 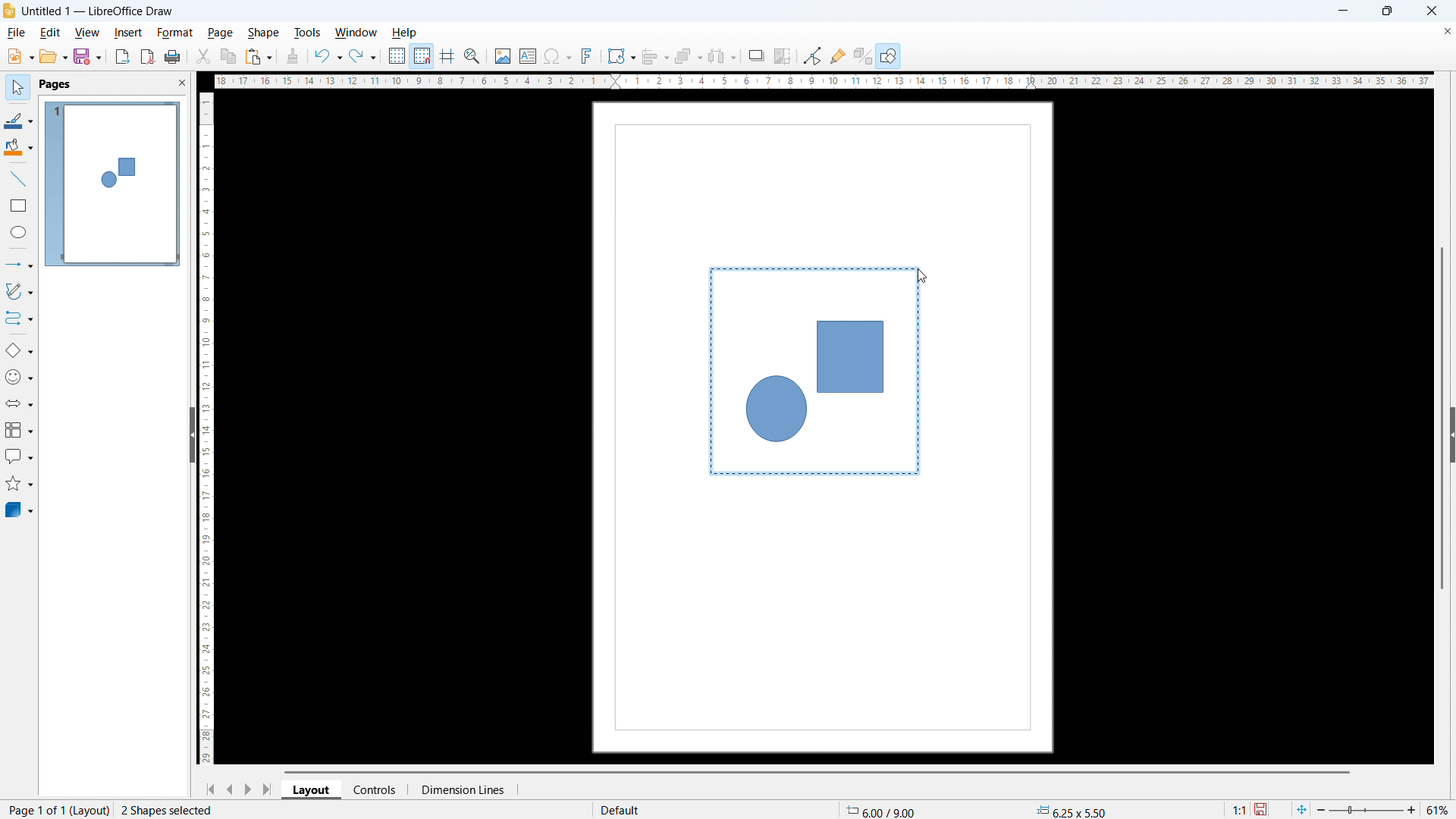 I want to click on document title, so click(x=98, y=11).